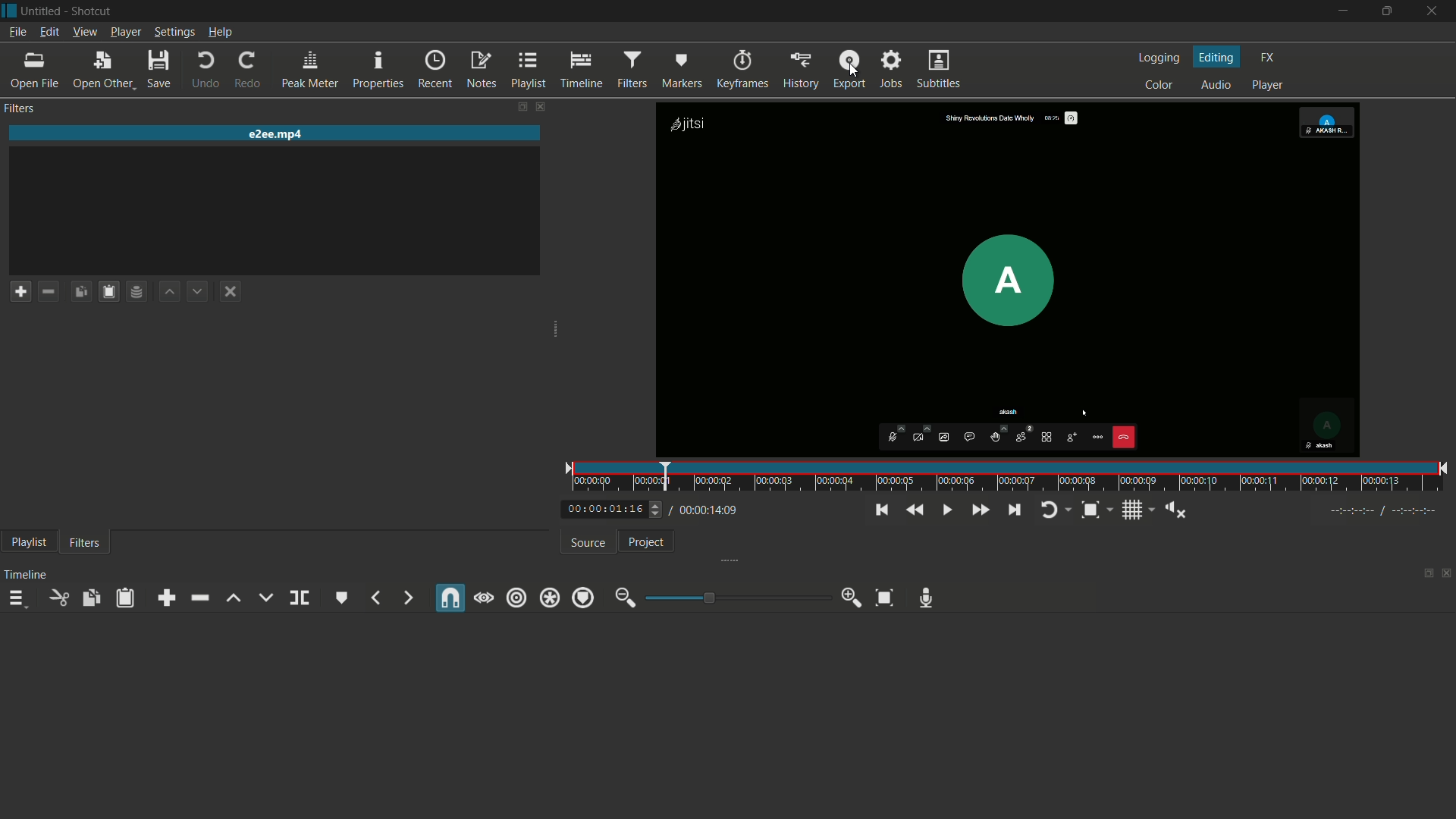 This screenshot has height=819, width=1456. I want to click on snap, so click(451, 598).